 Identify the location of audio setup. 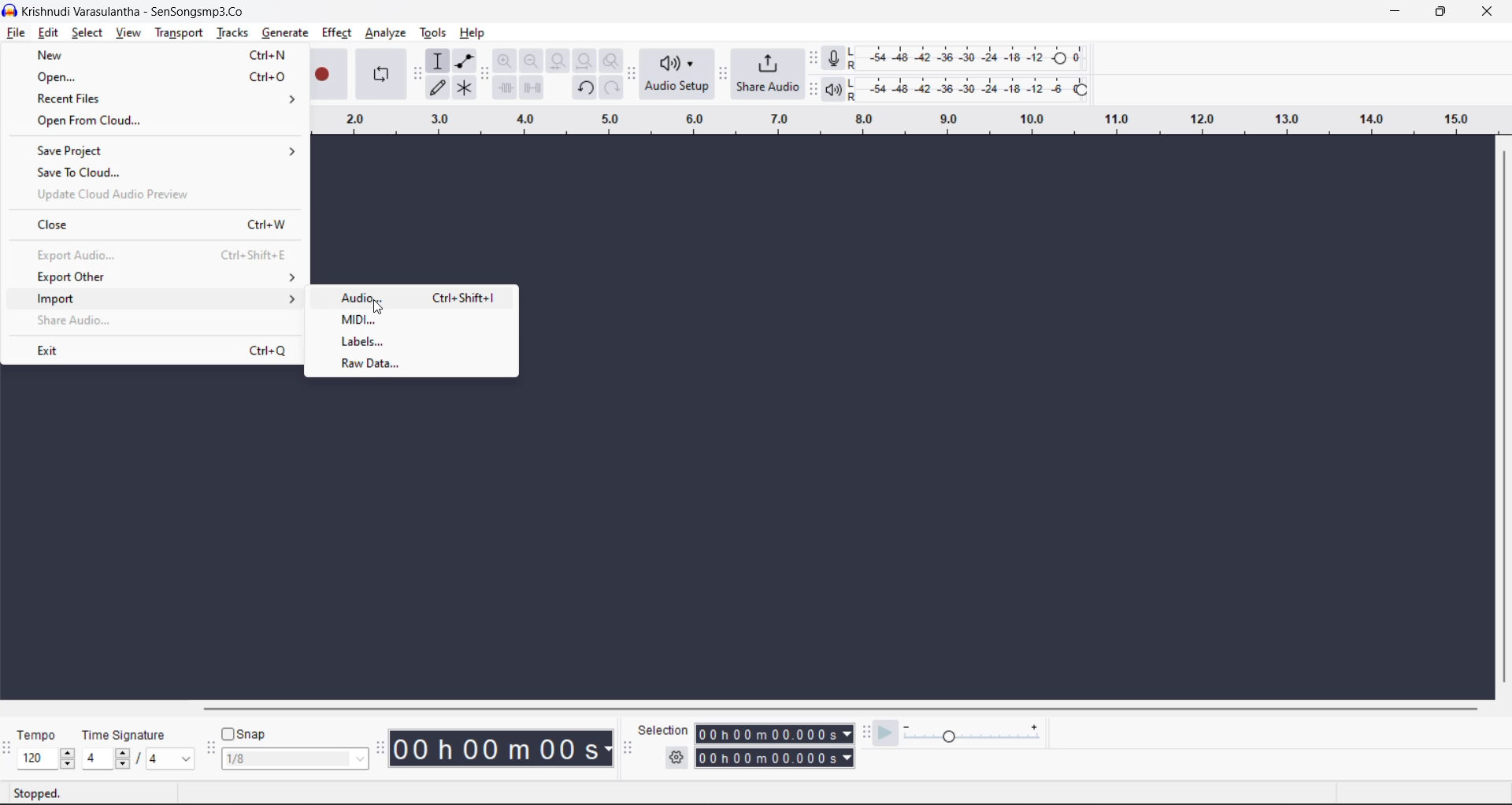
(677, 75).